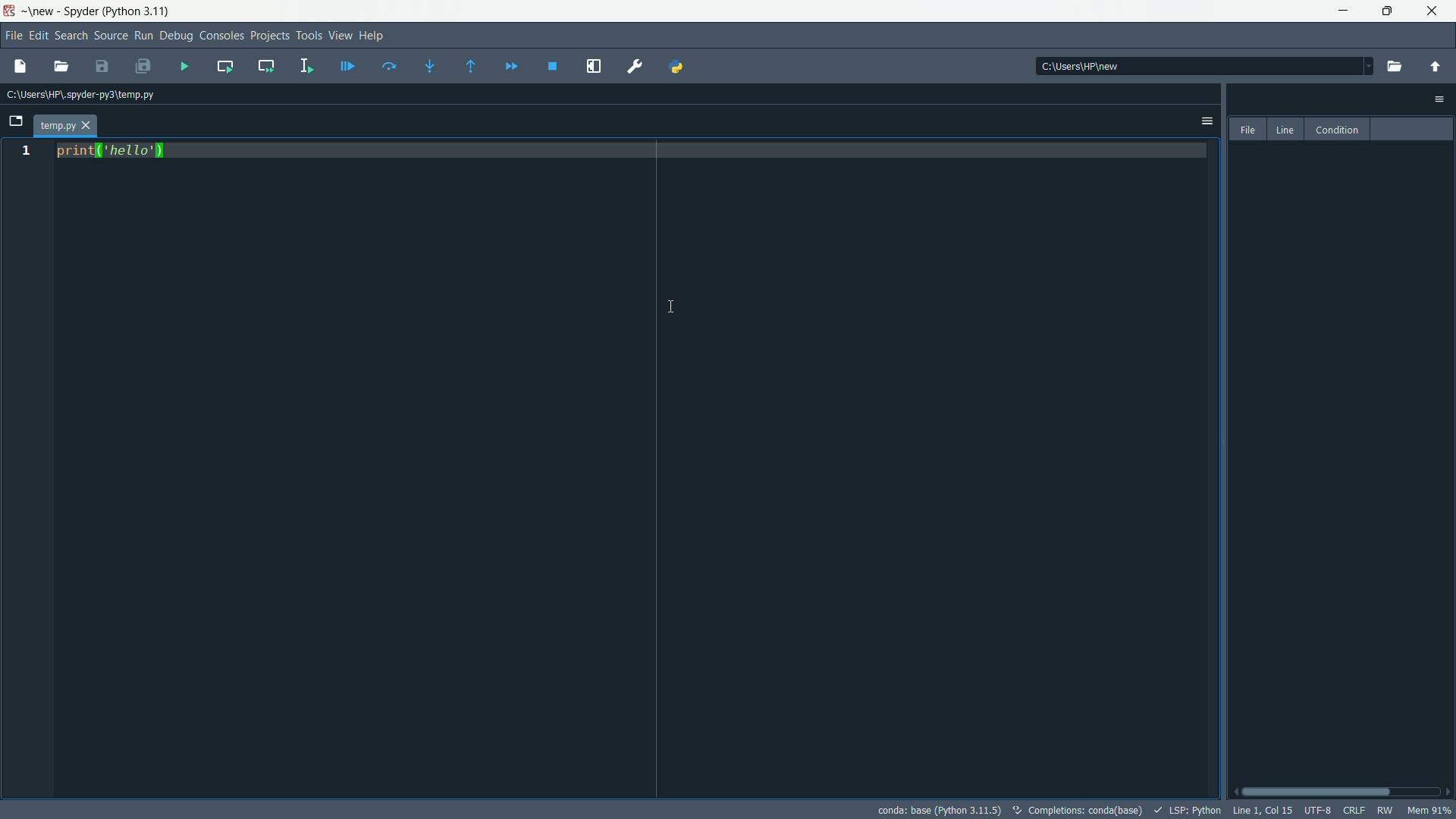 The image size is (1456, 819). Describe the element at coordinates (267, 65) in the screenshot. I see `run current cell and go to the next one` at that location.